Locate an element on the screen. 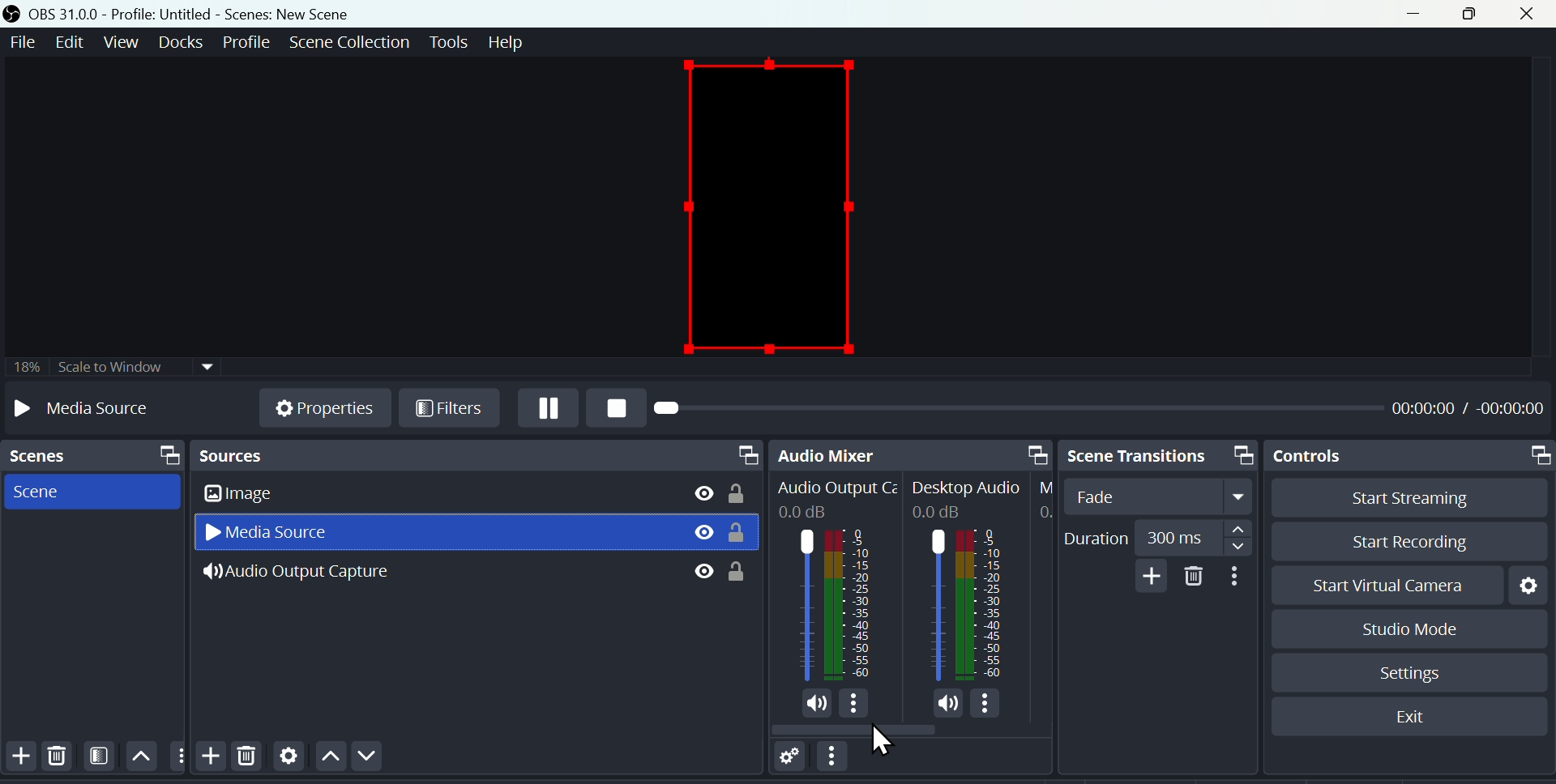 The height and width of the screenshot is (784, 1556). Stop is located at coordinates (616, 411).